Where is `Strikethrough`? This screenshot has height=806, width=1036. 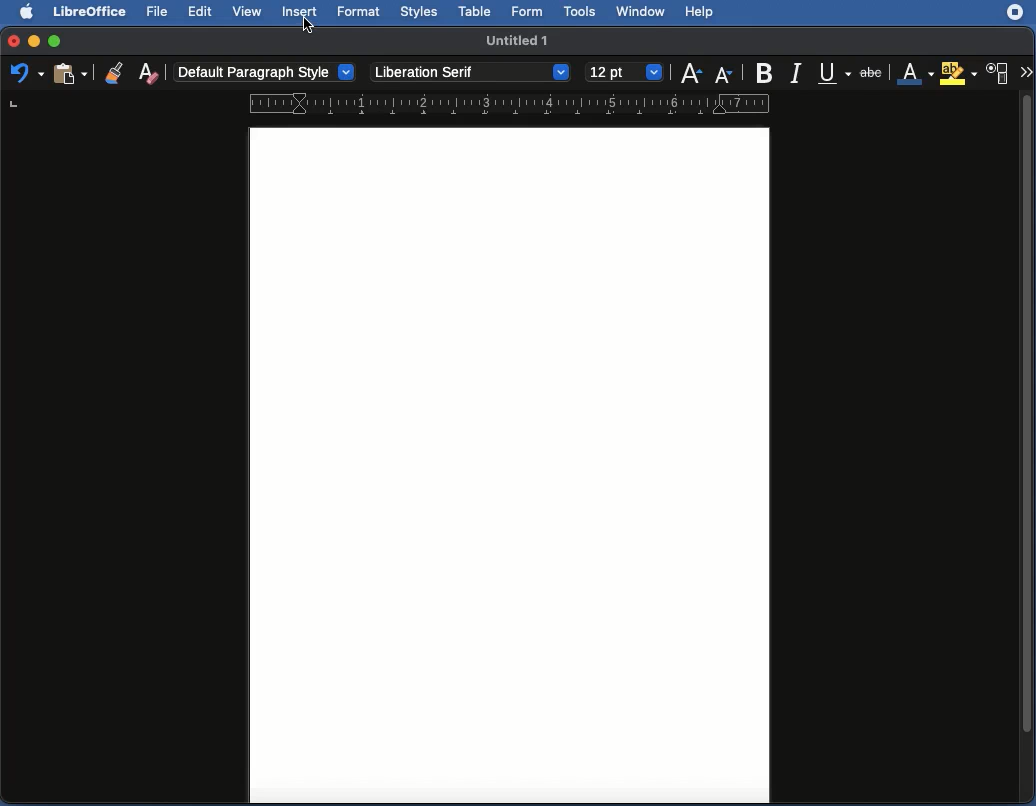
Strikethrough is located at coordinates (872, 72).